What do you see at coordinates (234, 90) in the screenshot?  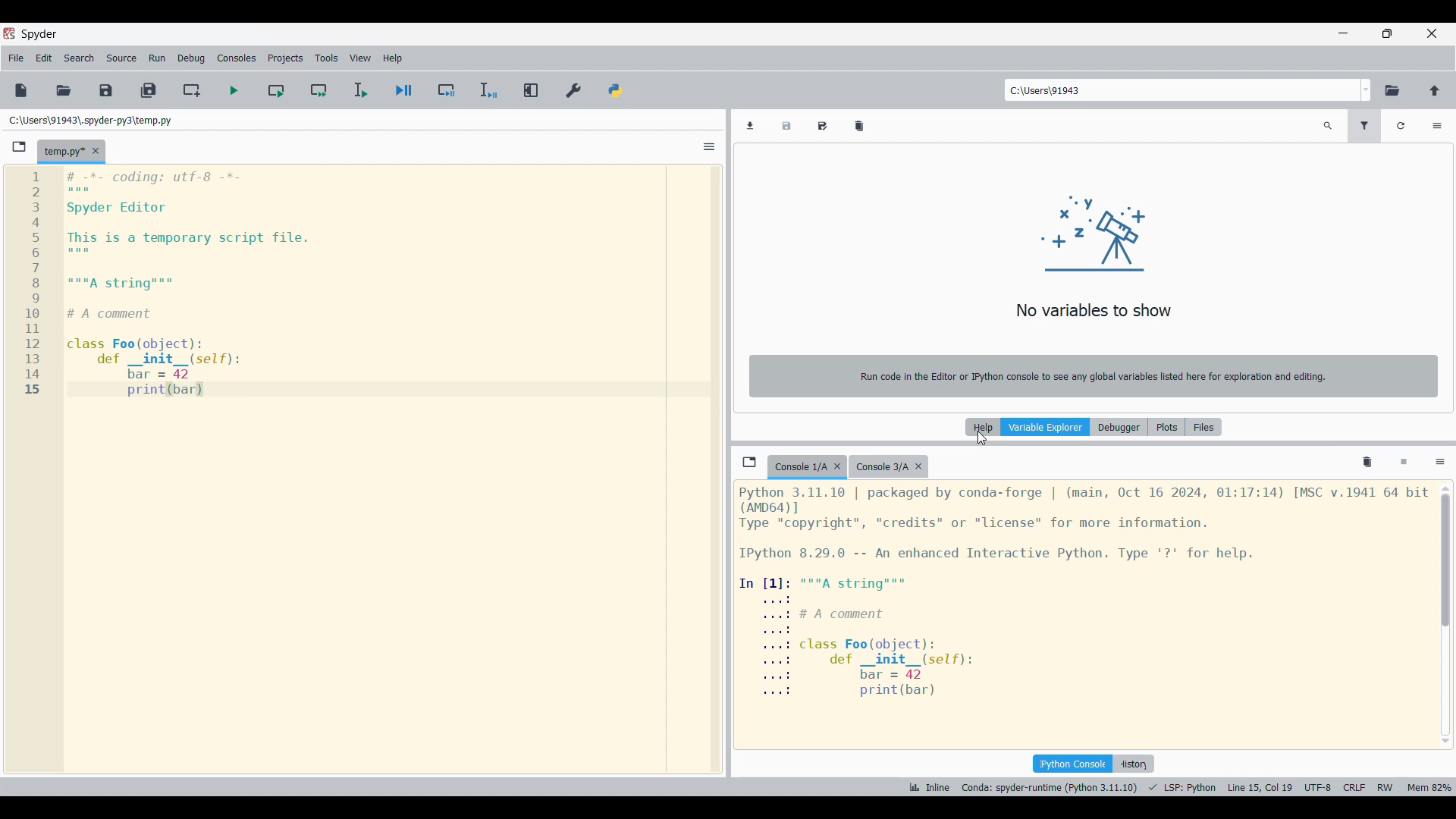 I see `Run file` at bounding box center [234, 90].